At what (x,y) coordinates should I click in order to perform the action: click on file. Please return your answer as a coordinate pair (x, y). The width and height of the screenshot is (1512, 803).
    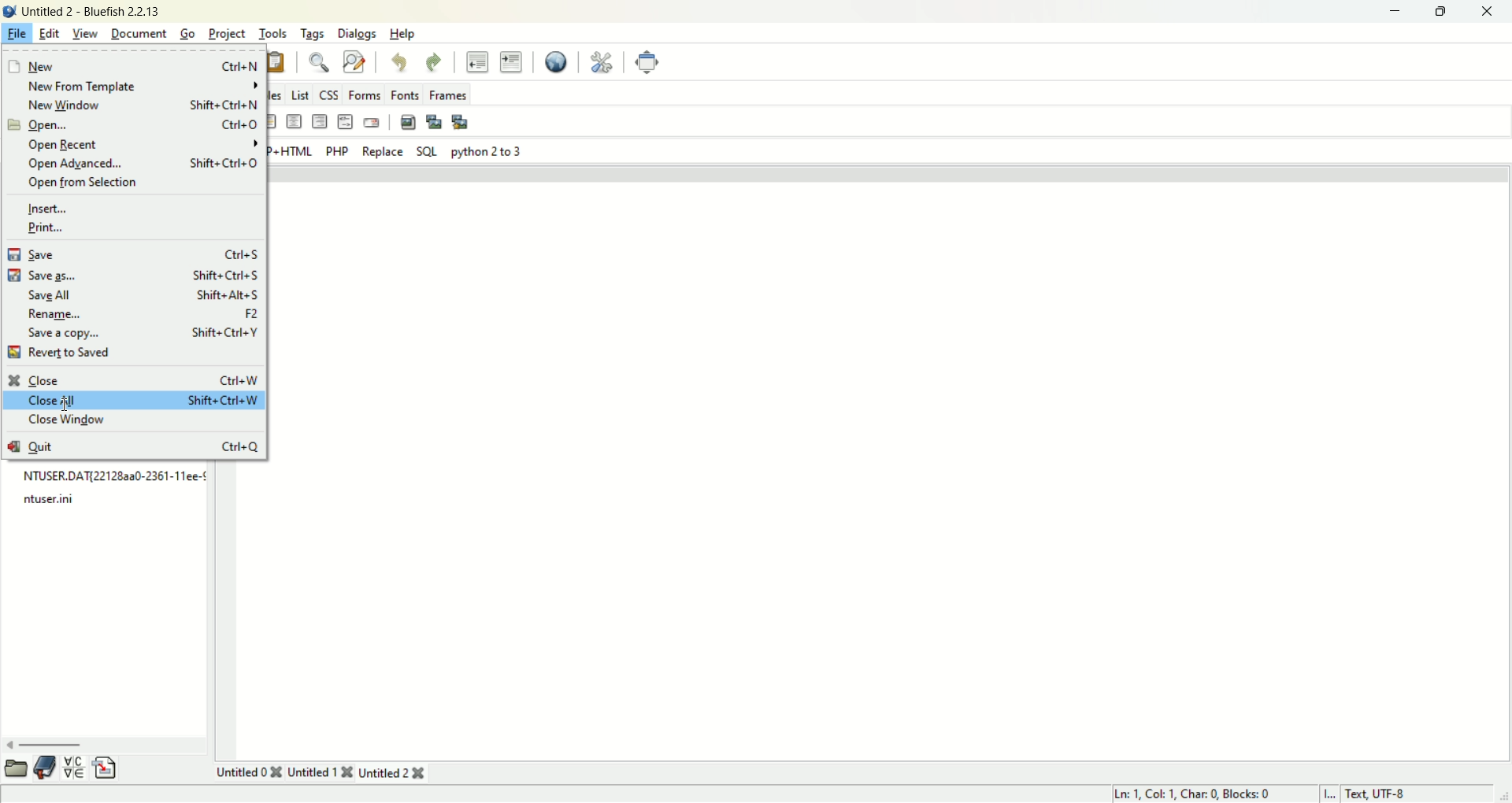
    Looking at the image, I should click on (16, 35).